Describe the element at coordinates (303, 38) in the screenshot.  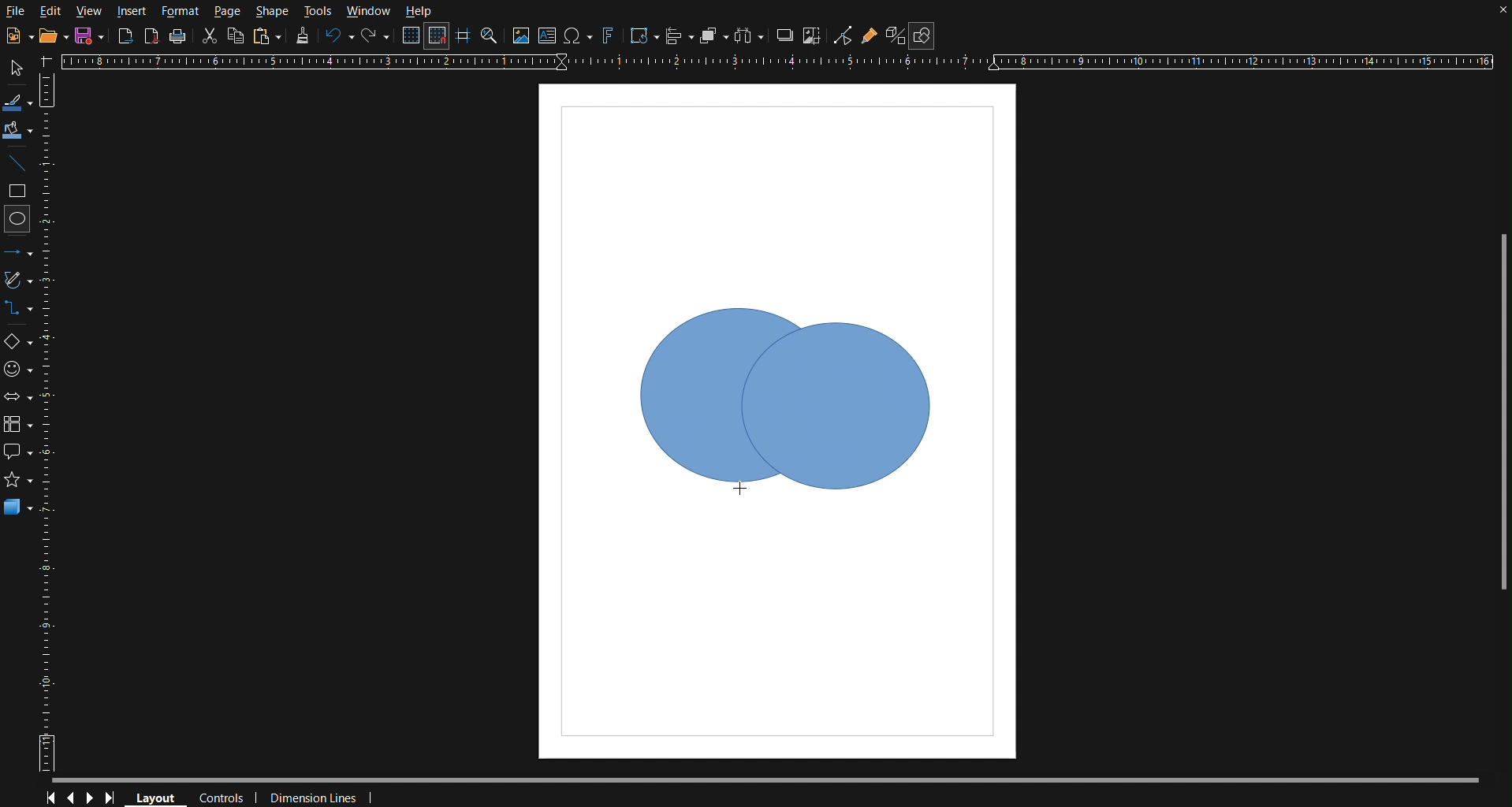
I see `Formatting` at that location.